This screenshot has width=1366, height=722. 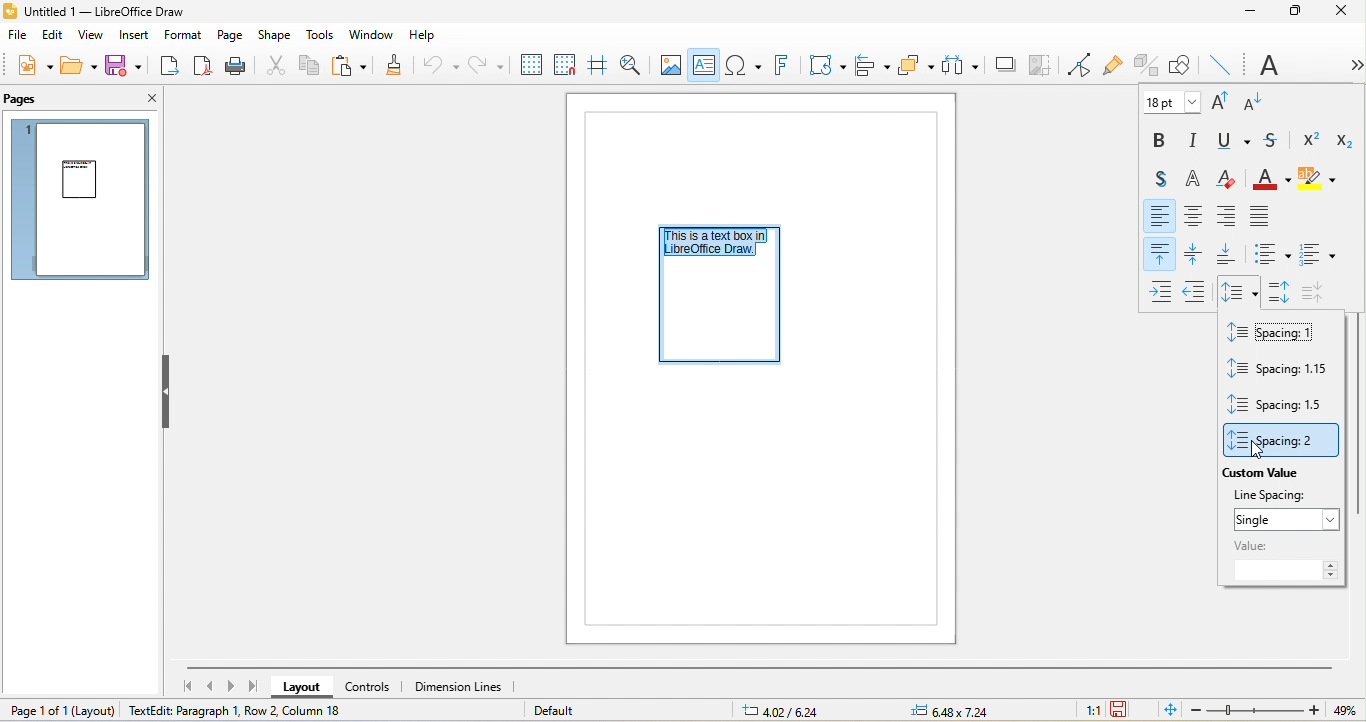 What do you see at coordinates (1115, 63) in the screenshot?
I see `gluepoint function` at bounding box center [1115, 63].